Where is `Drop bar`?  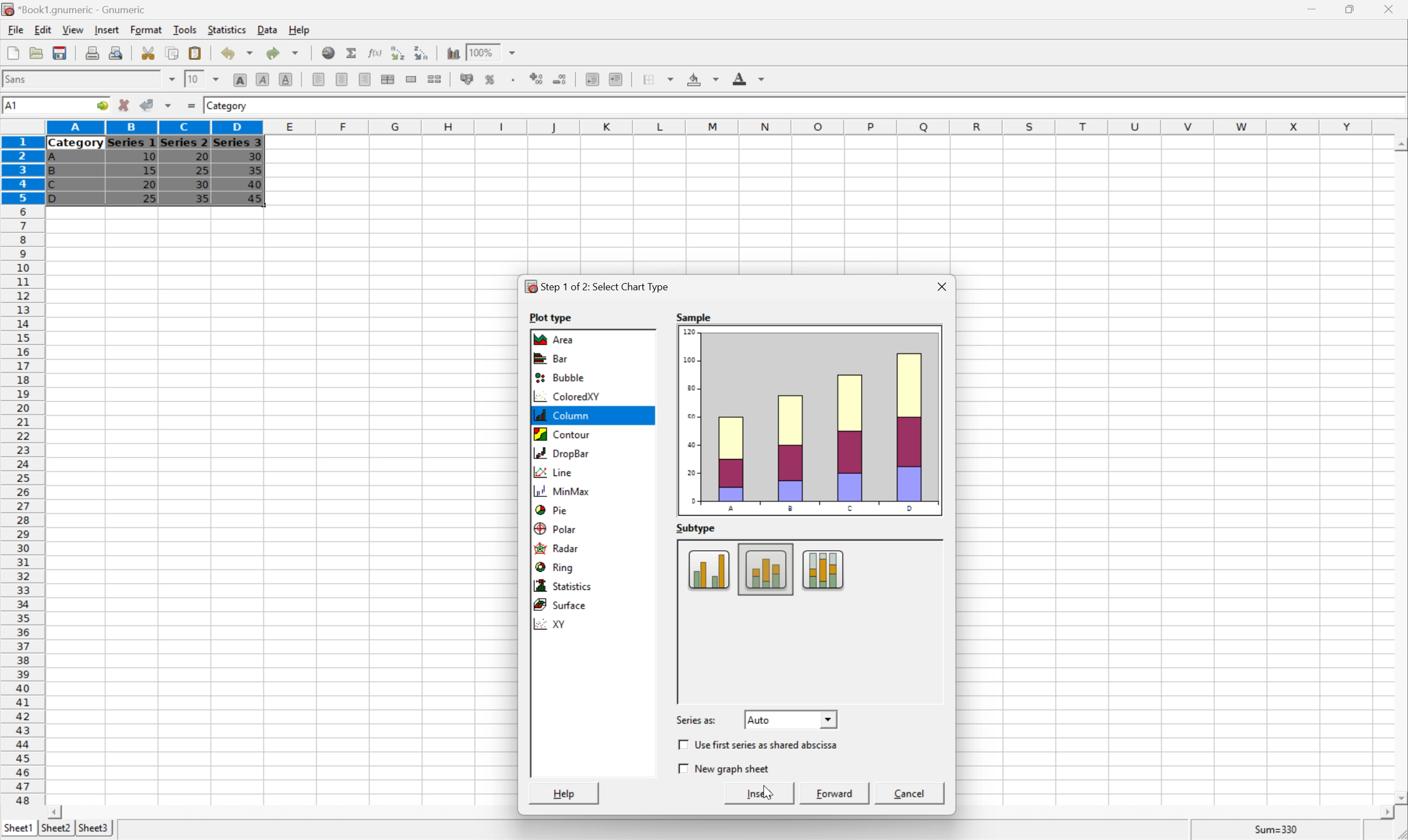 Drop bar is located at coordinates (563, 453).